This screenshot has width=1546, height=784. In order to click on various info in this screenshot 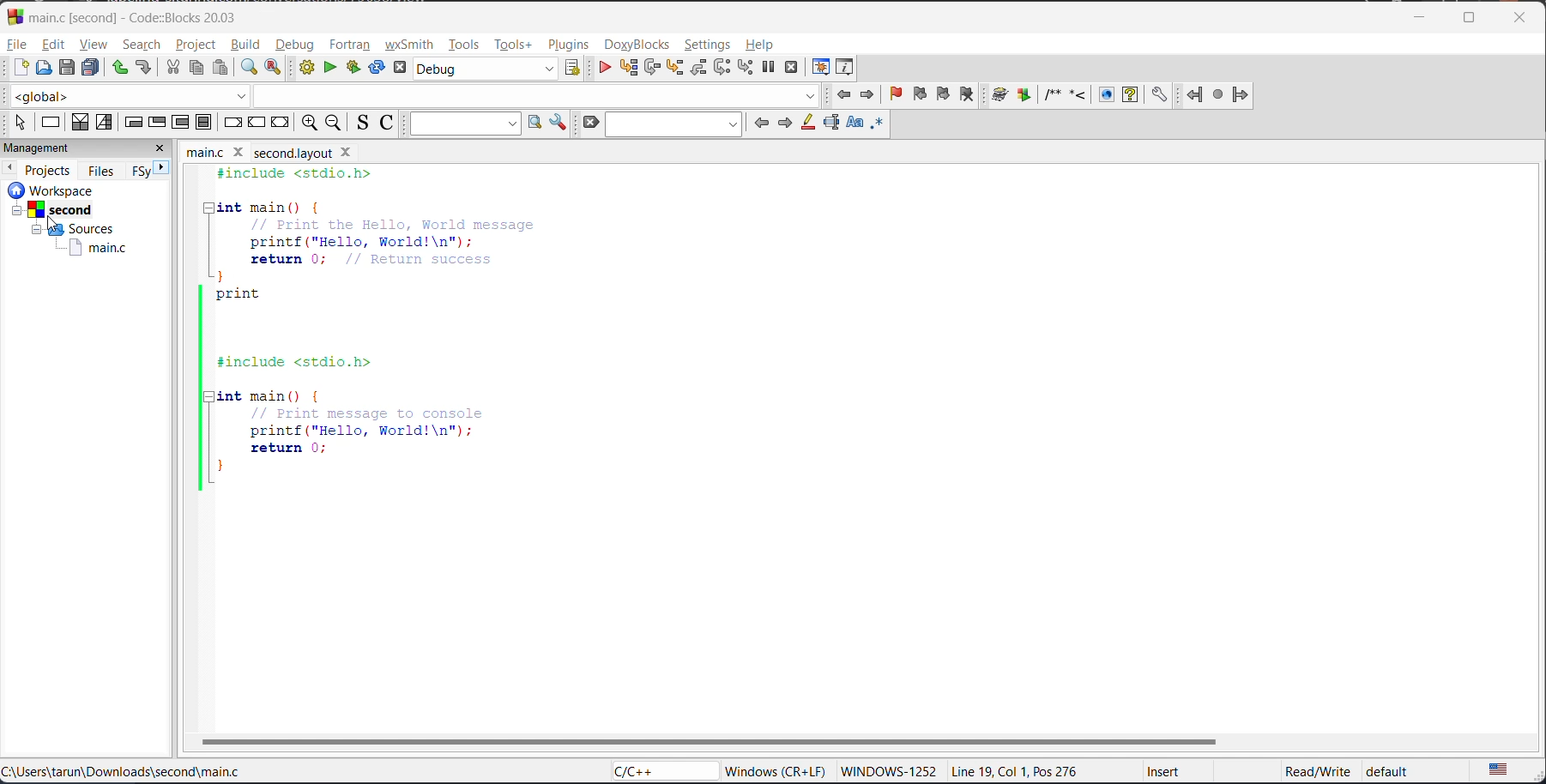, I will do `click(848, 69)`.